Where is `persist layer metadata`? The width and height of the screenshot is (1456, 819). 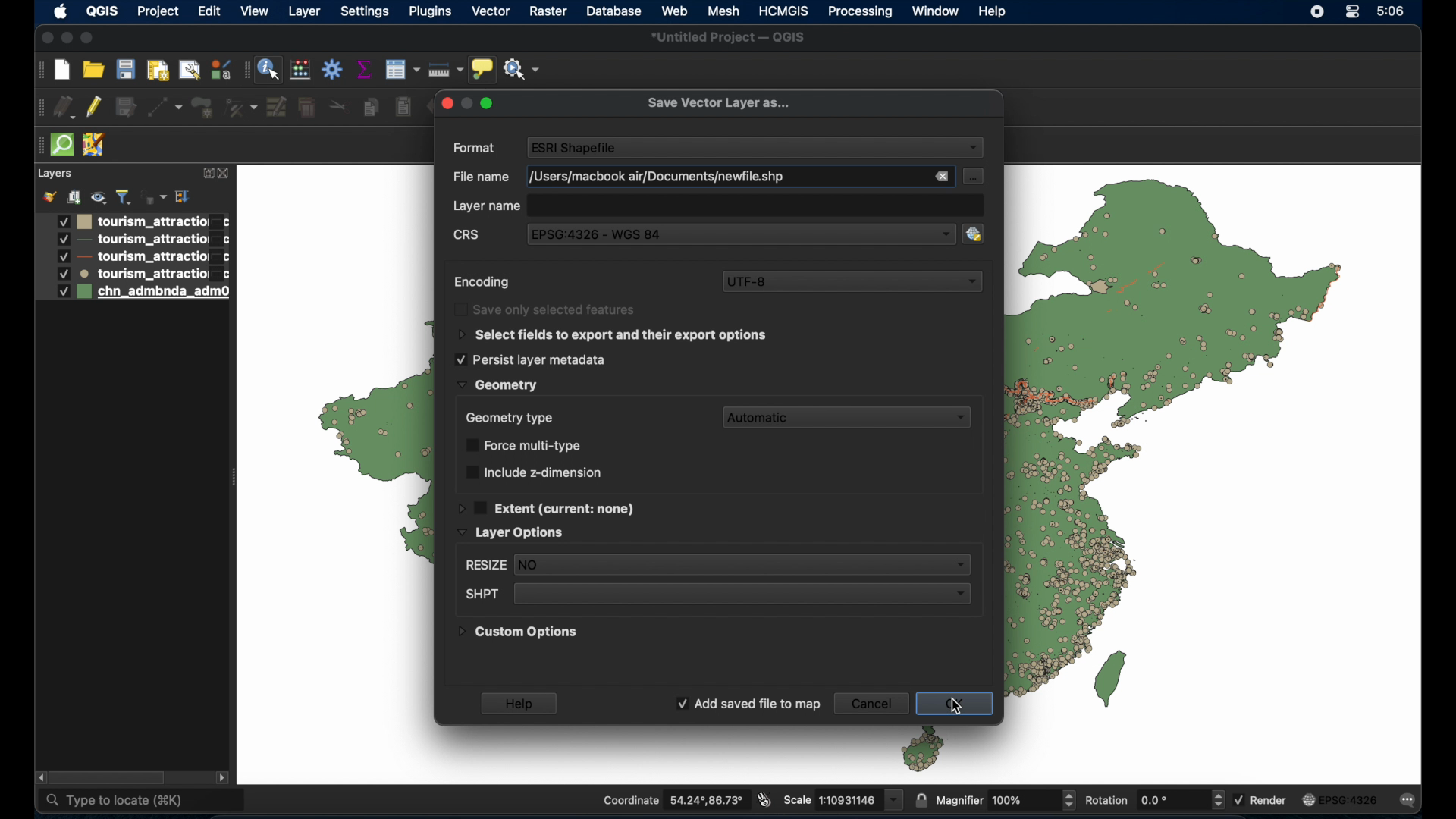 persist layer metadata is located at coordinates (530, 359).